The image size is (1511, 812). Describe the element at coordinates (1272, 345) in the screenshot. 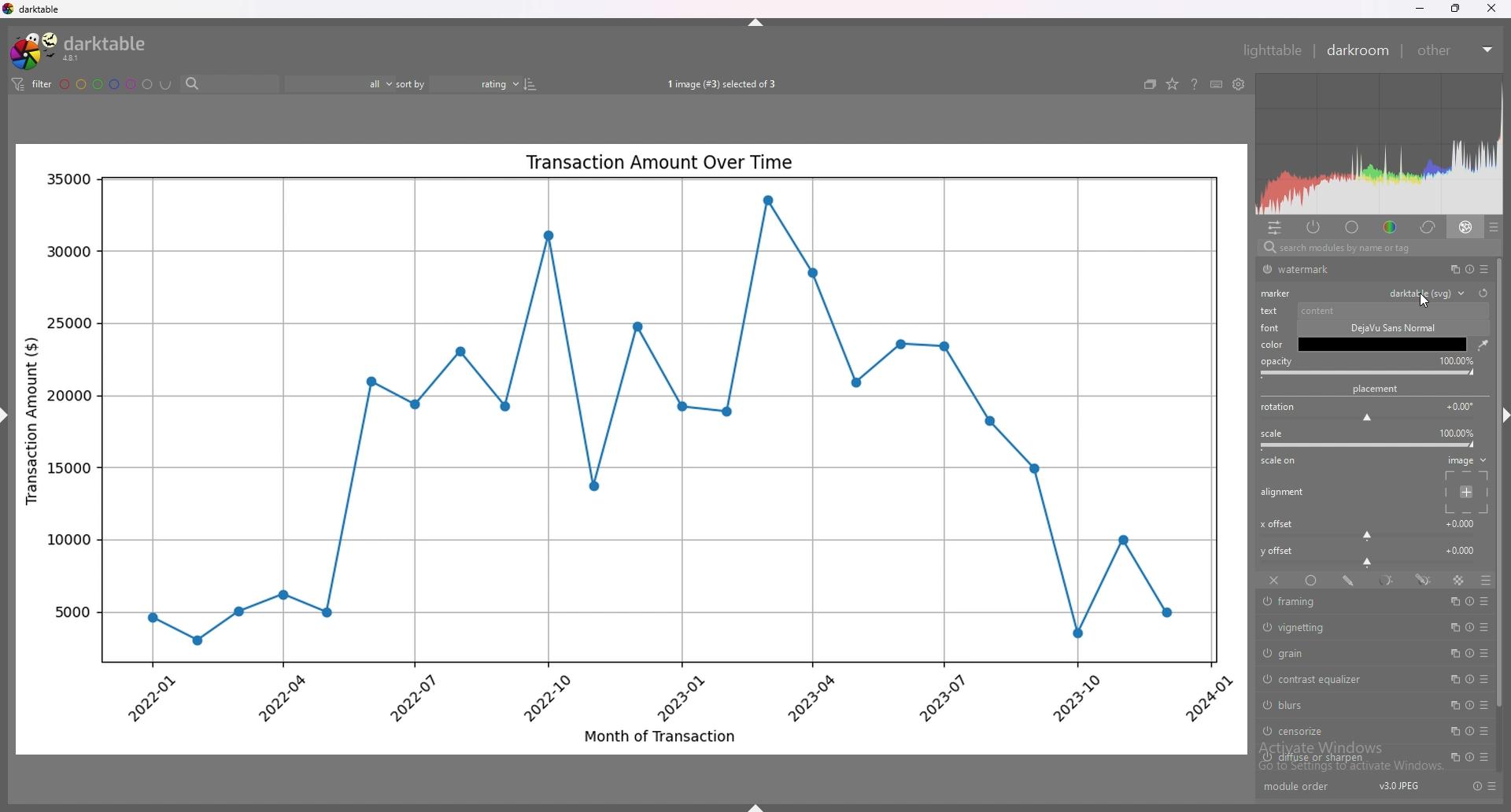

I see `color` at that location.